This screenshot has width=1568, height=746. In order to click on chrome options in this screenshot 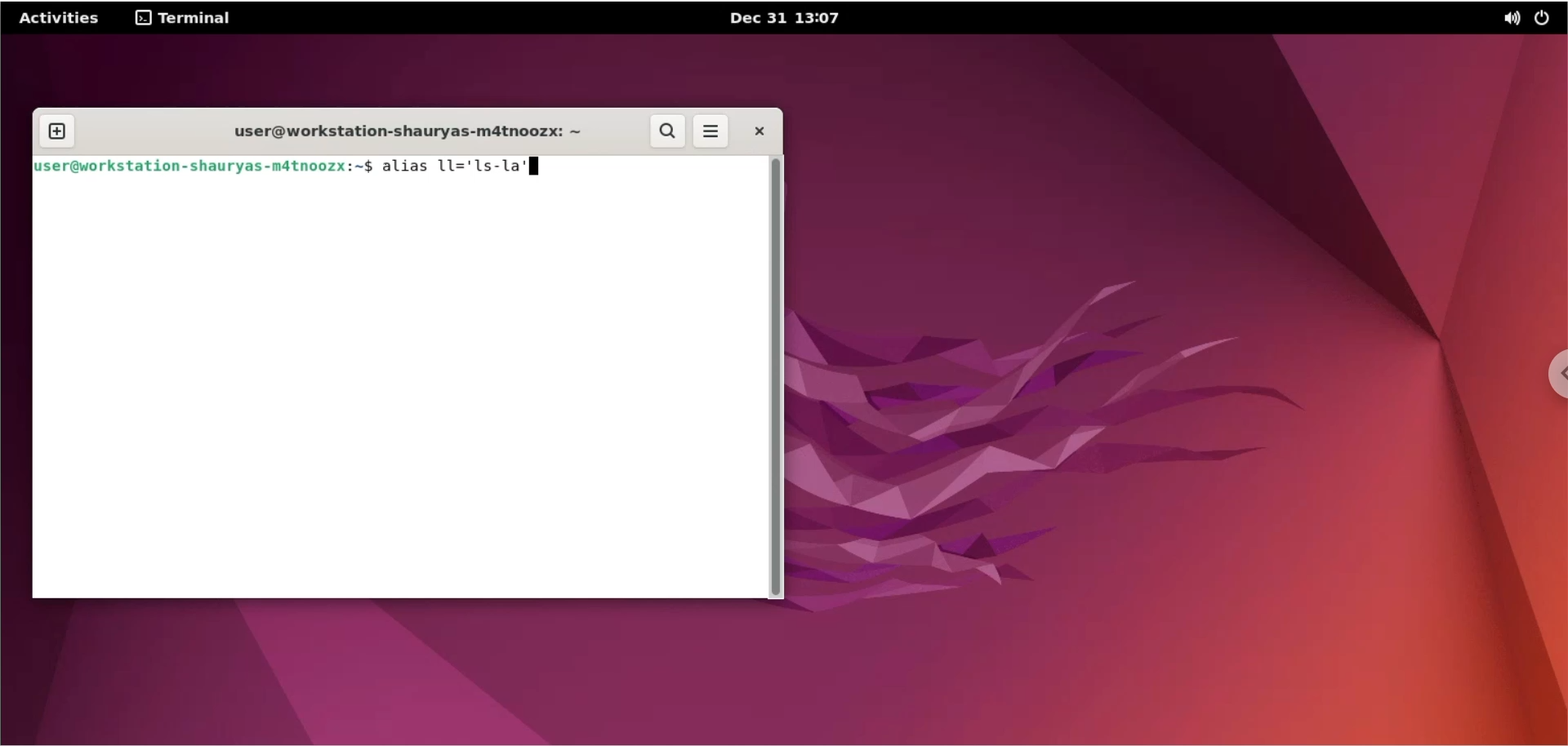, I will do `click(1552, 381)`.